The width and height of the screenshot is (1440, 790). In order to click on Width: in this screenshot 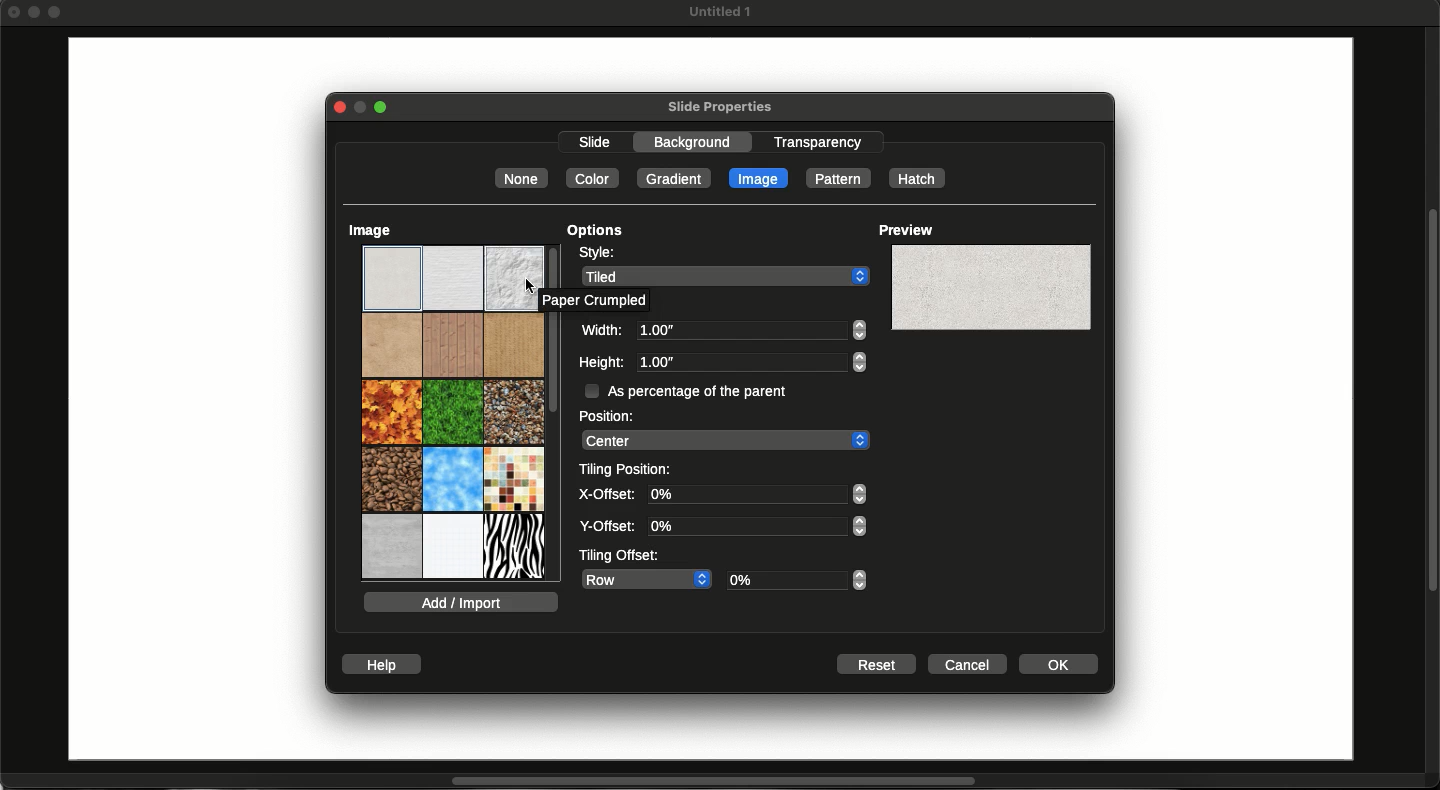, I will do `click(603, 330)`.